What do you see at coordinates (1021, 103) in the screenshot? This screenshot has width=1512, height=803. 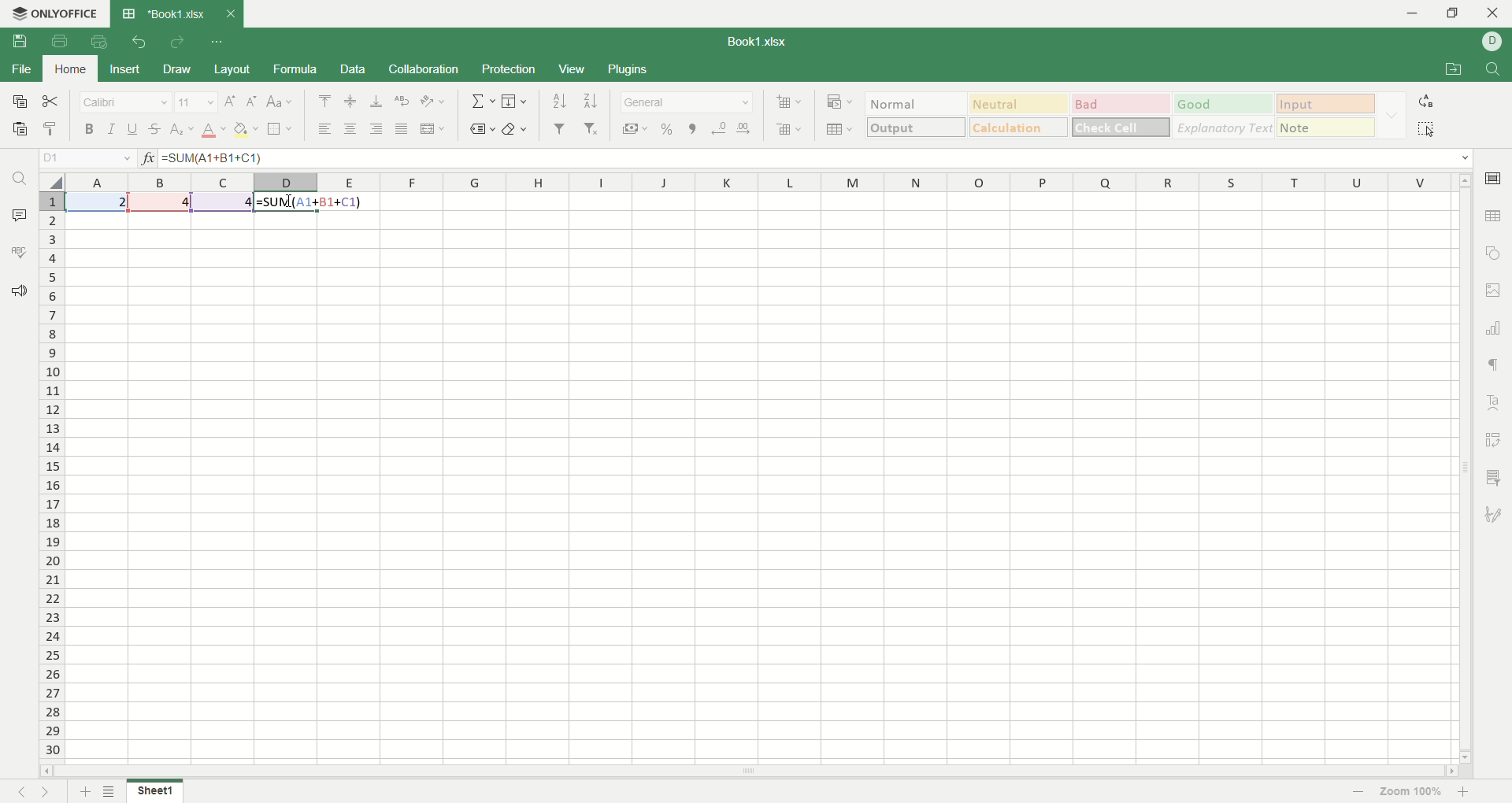 I see `neutral` at bounding box center [1021, 103].